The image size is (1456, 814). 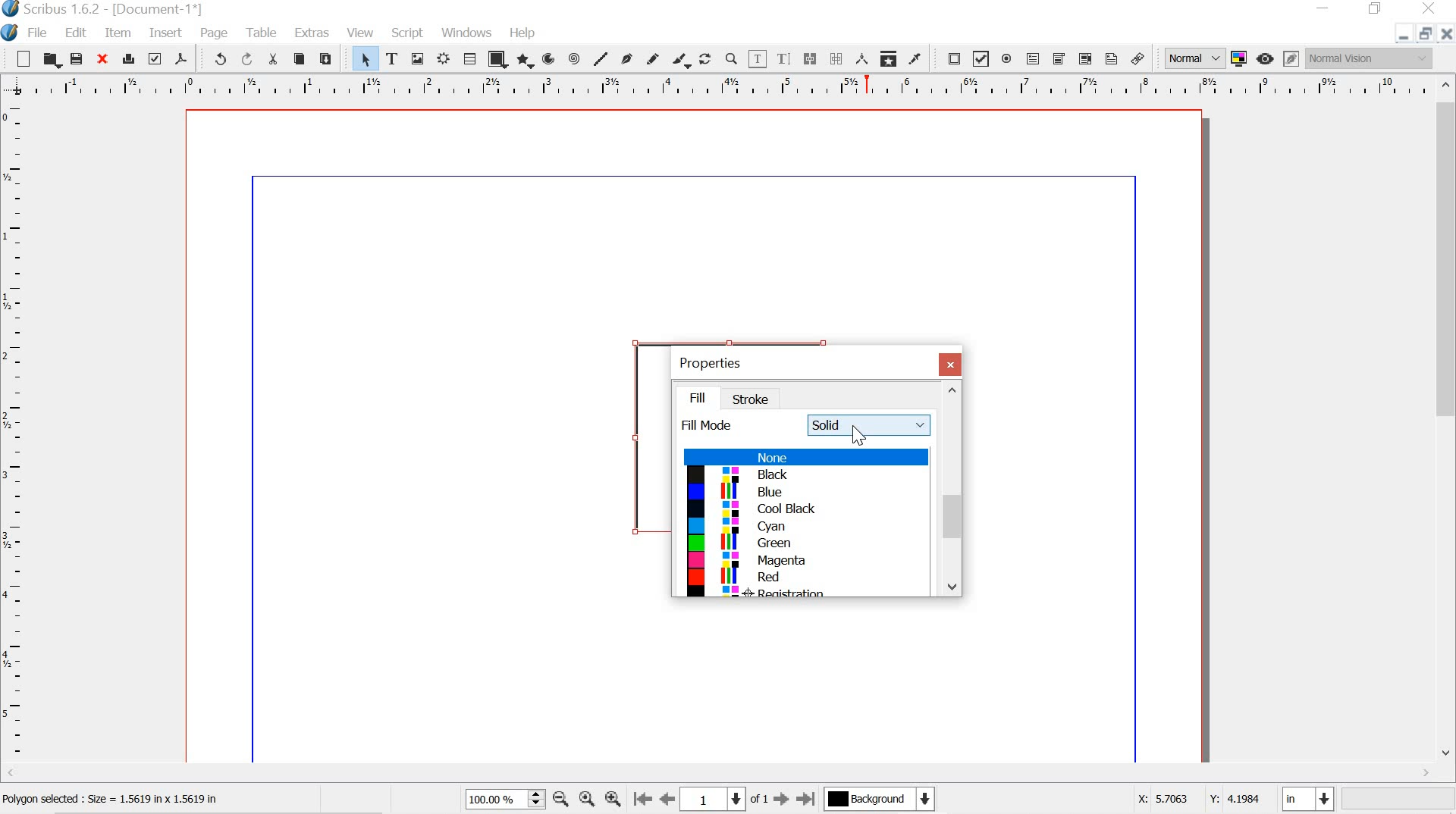 What do you see at coordinates (1370, 60) in the screenshot?
I see `normal vision` at bounding box center [1370, 60].